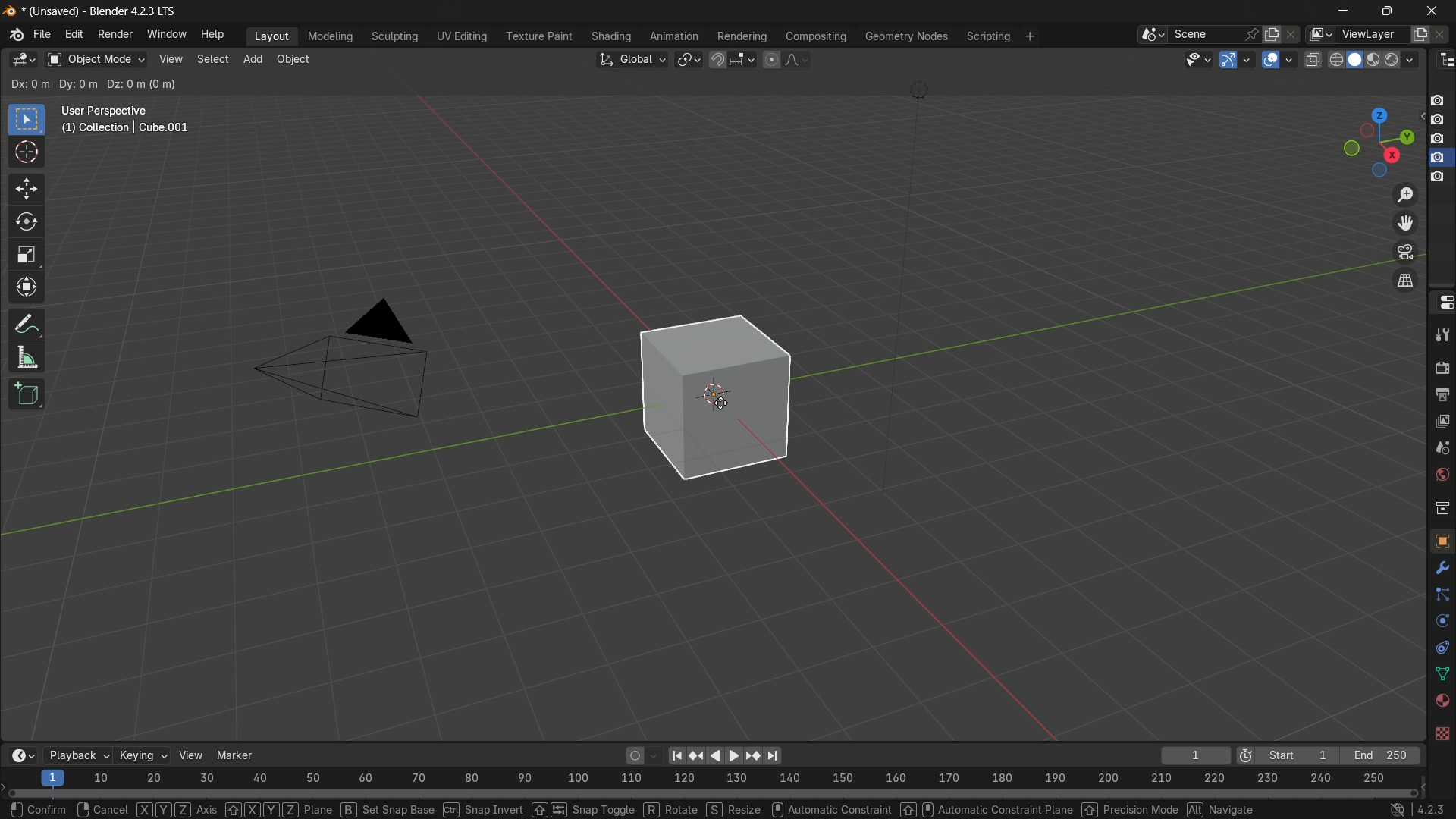 The image size is (1456, 819). I want to click on object, so click(739, 403).